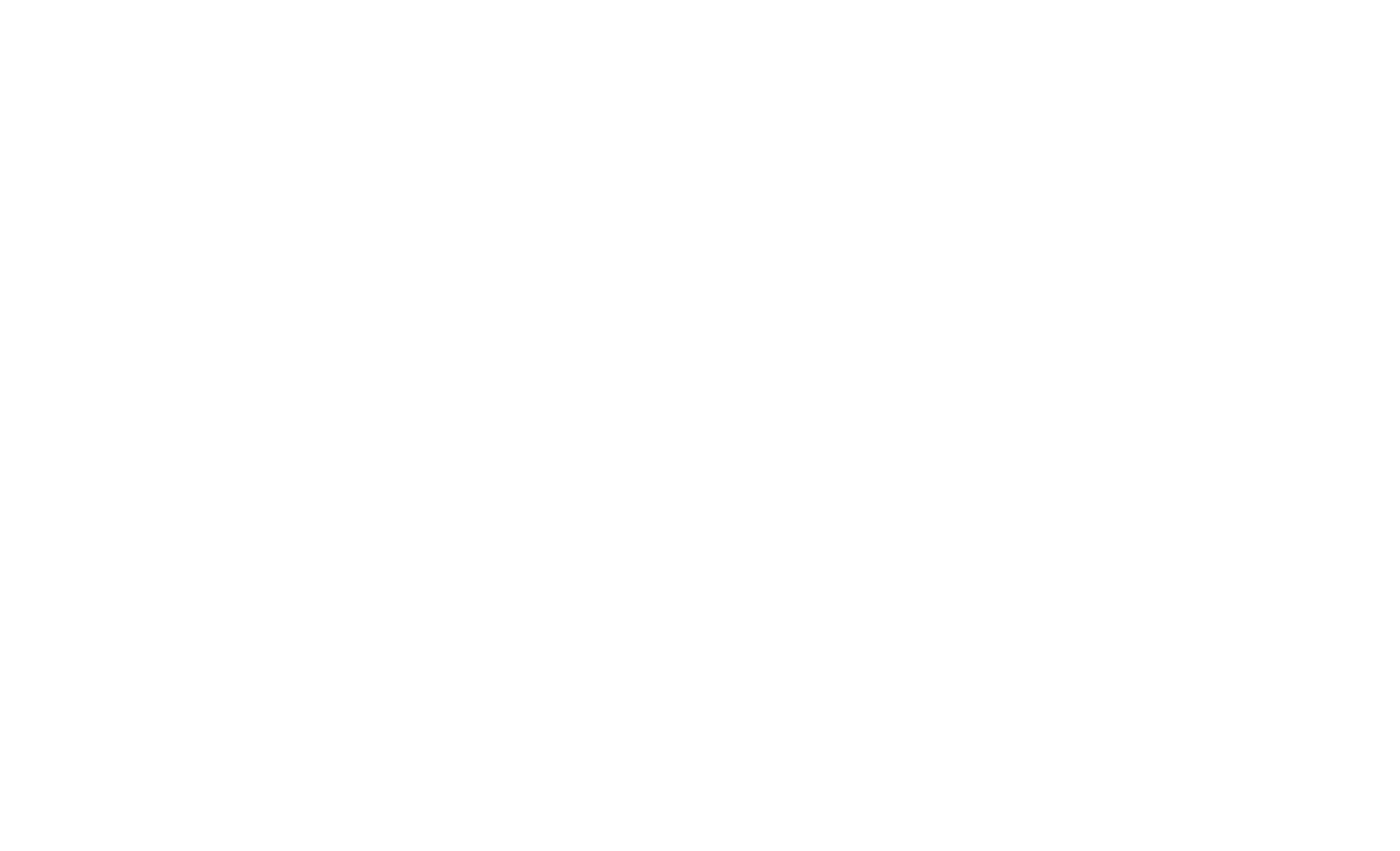 The width and height of the screenshot is (1400, 851). I want to click on Scene filter, so click(91, 804).